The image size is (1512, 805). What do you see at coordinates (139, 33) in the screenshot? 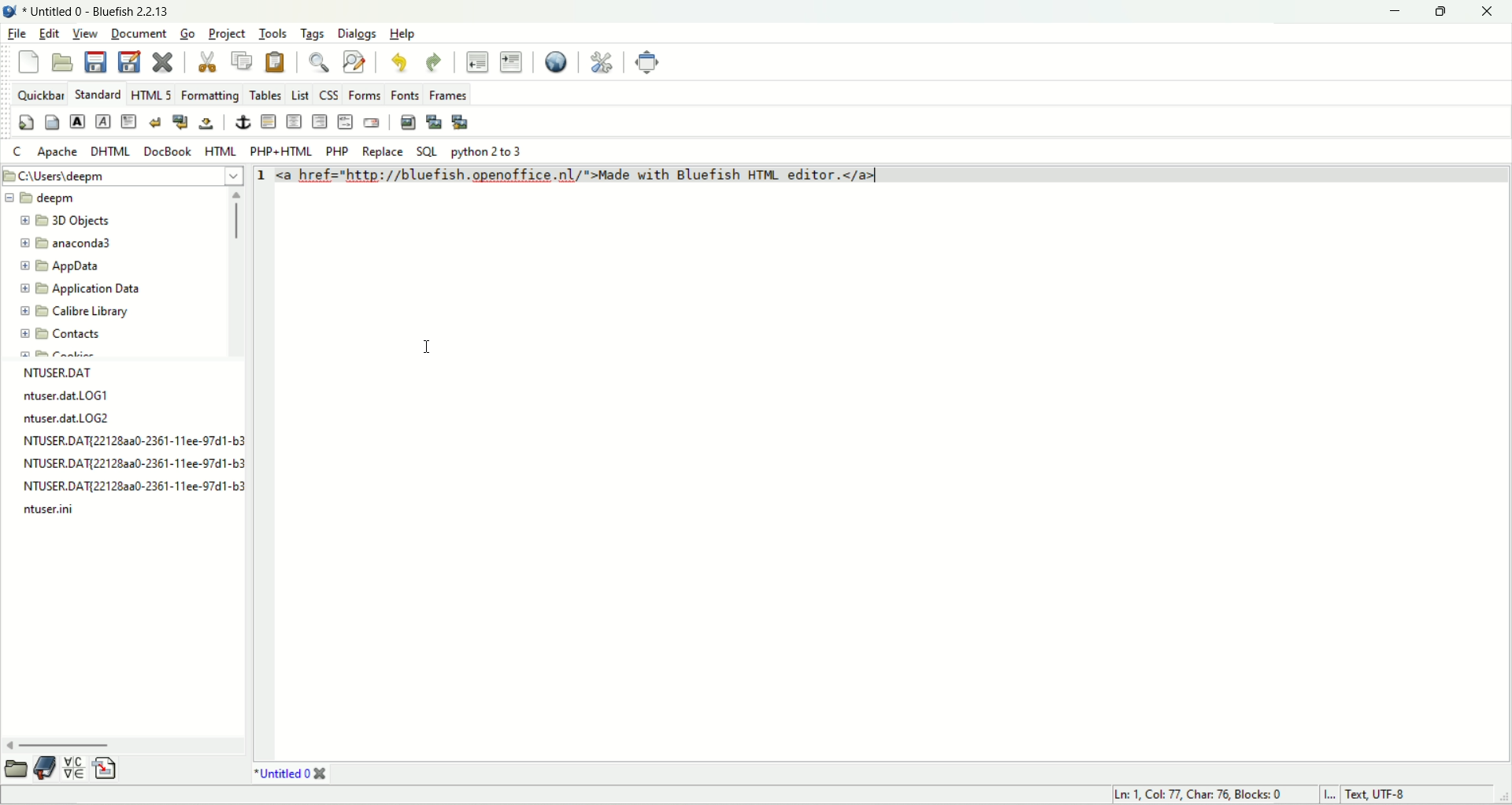
I see `document` at bounding box center [139, 33].